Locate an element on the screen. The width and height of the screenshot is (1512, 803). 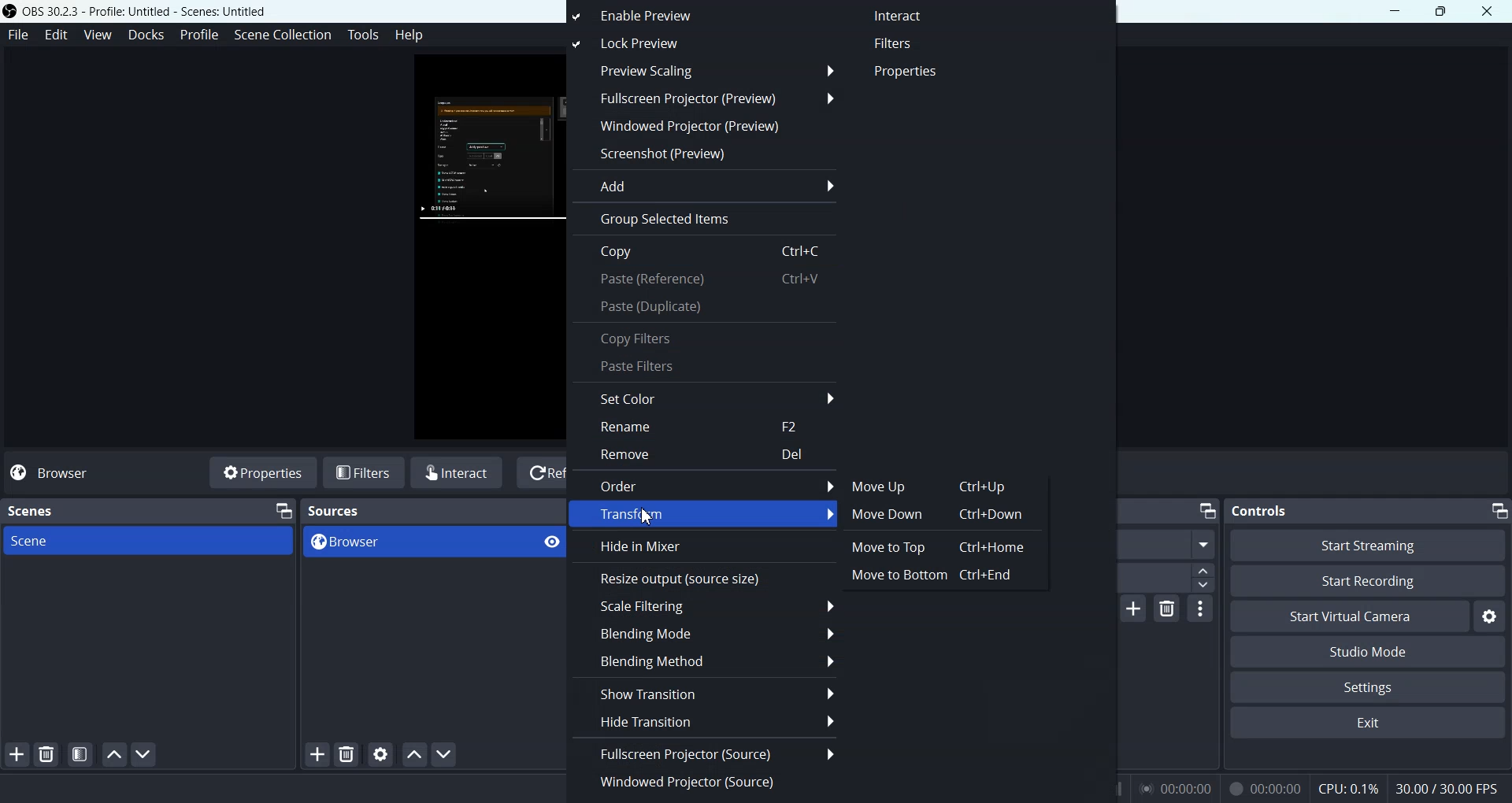
00:00:00 is located at coordinates (1176, 787).